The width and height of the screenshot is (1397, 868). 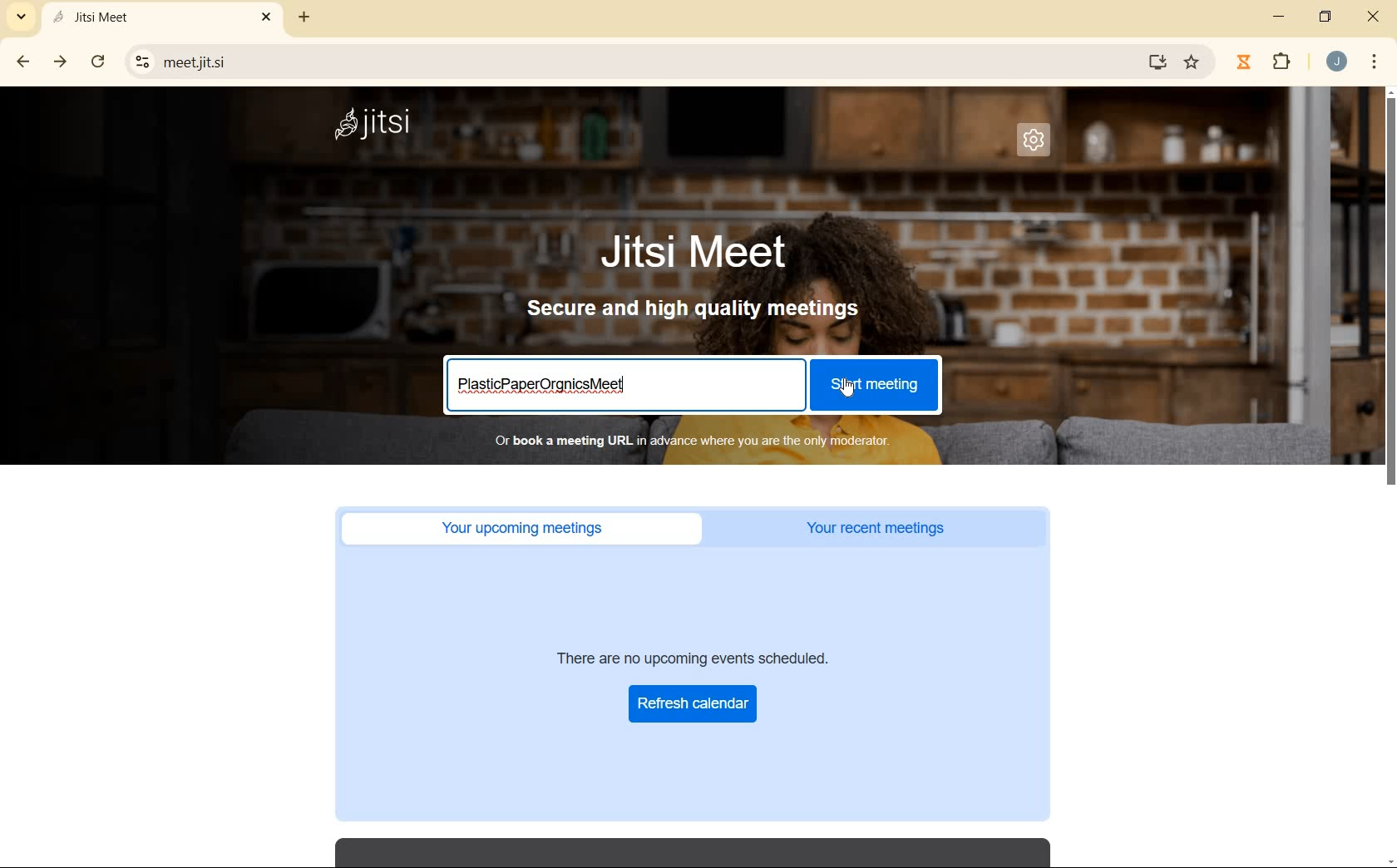 What do you see at coordinates (1034, 141) in the screenshot?
I see `settings` at bounding box center [1034, 141].